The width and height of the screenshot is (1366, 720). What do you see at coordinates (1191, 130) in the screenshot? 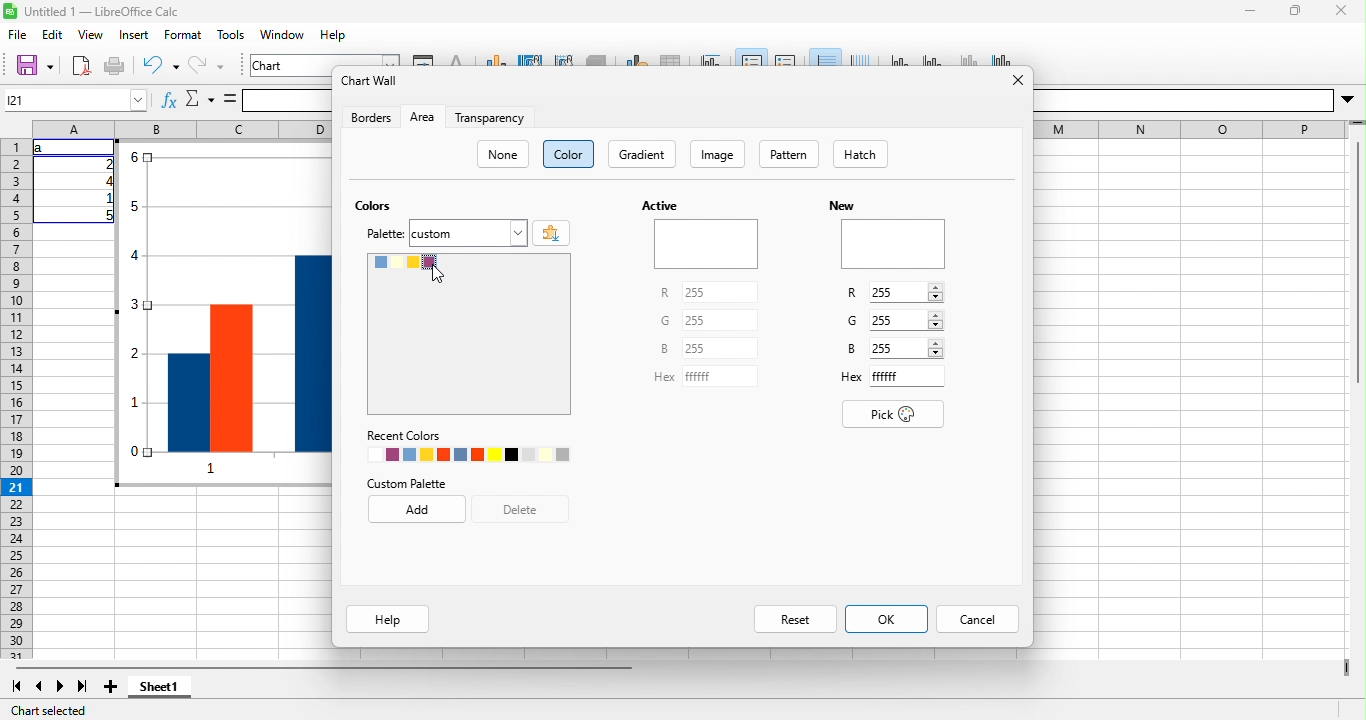
I see `EE EE I E—` at bounding box center [1191, 130].